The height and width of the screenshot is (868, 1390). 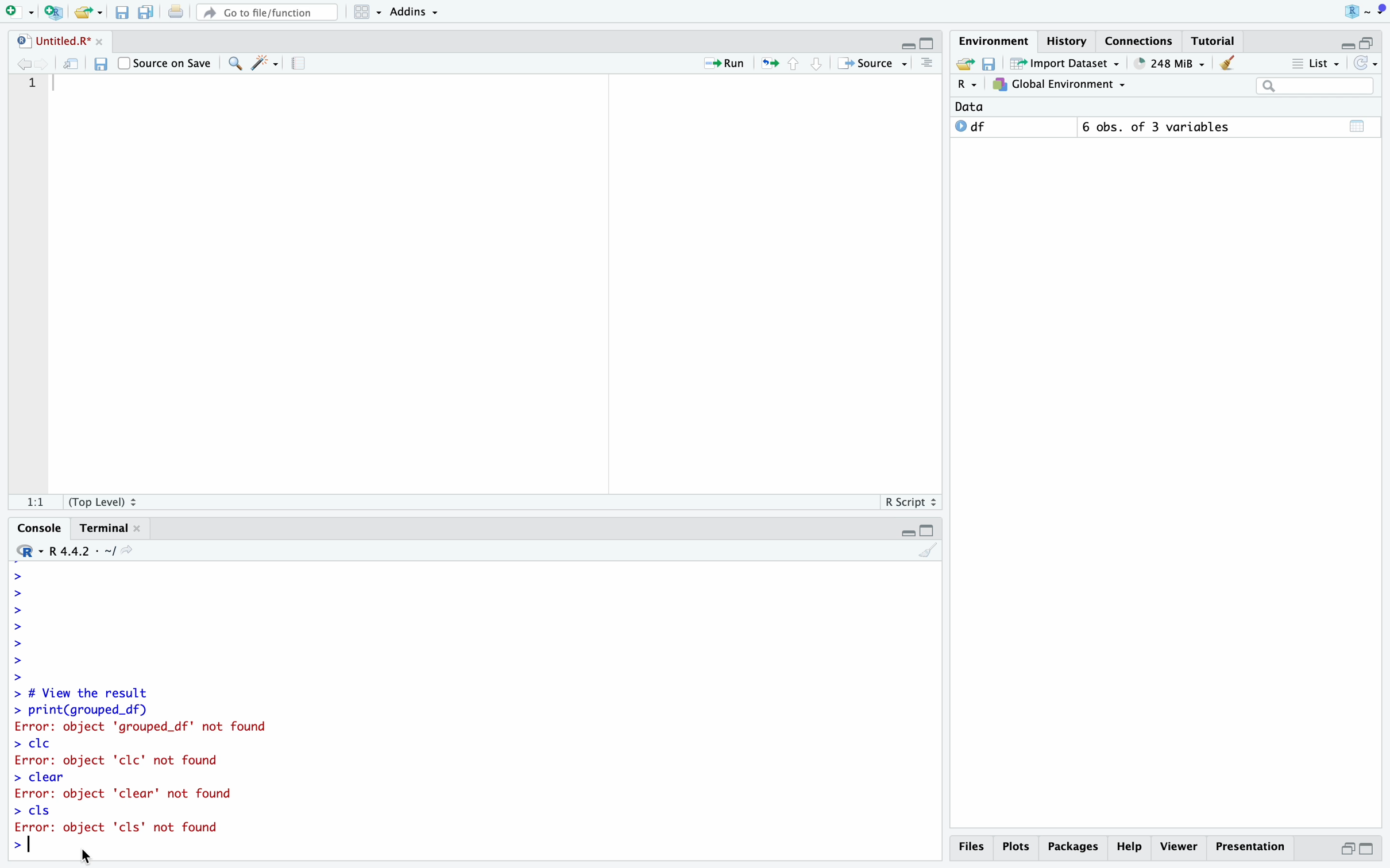 What do you see at coordinates (473, 711) in the screenshot?
I see `> # View the result

> print(grouped_df)

Error: object 'grouped_df' not found
> cle

Error: object 'clc' not found

> clear

Error: object 'clear' not found

> cls

Error: object 'cls' not found` at bounding box center [473, 711].